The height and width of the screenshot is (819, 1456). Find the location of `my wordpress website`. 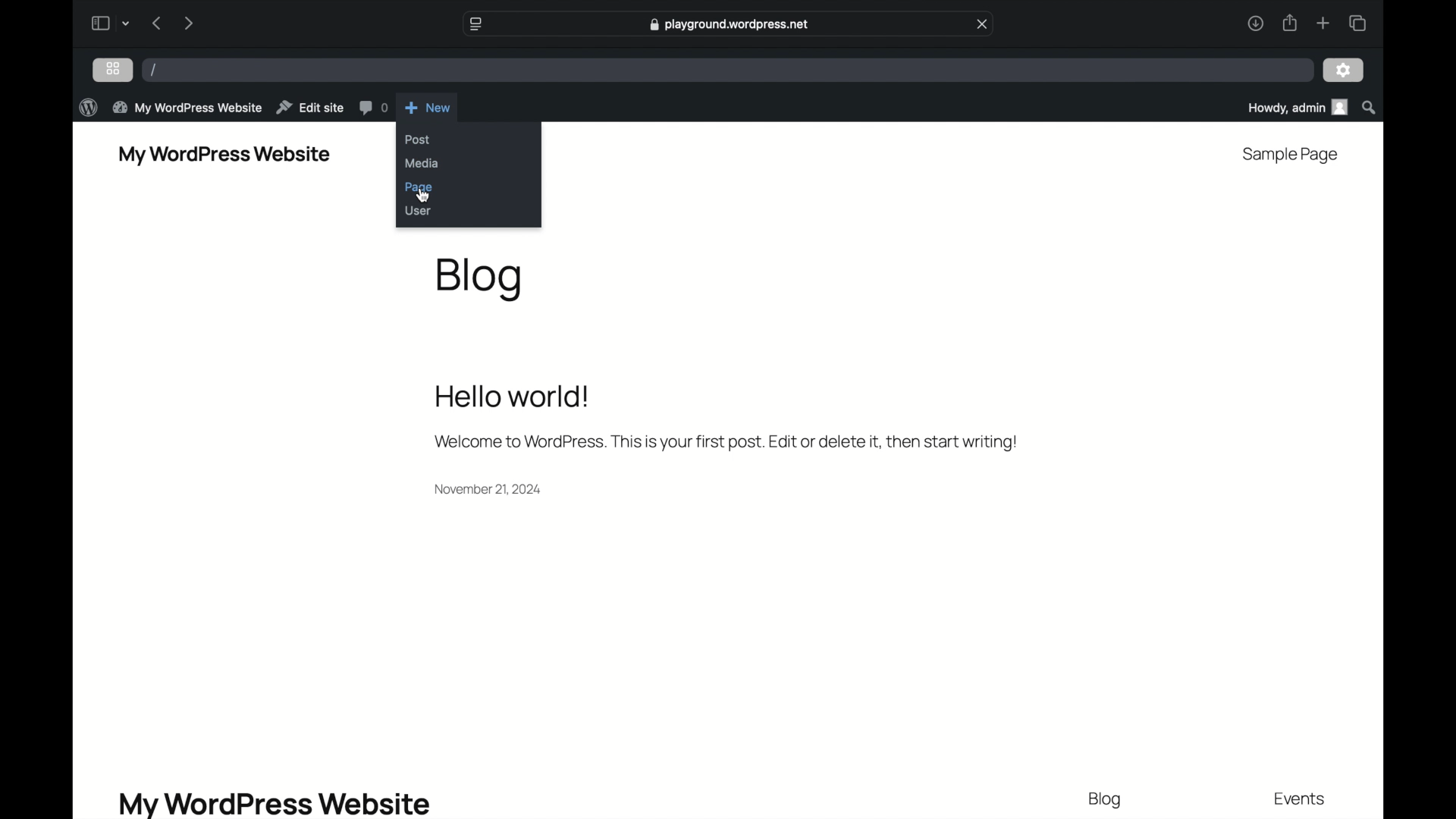

my wordpress website is located at coordinates (275, 803).